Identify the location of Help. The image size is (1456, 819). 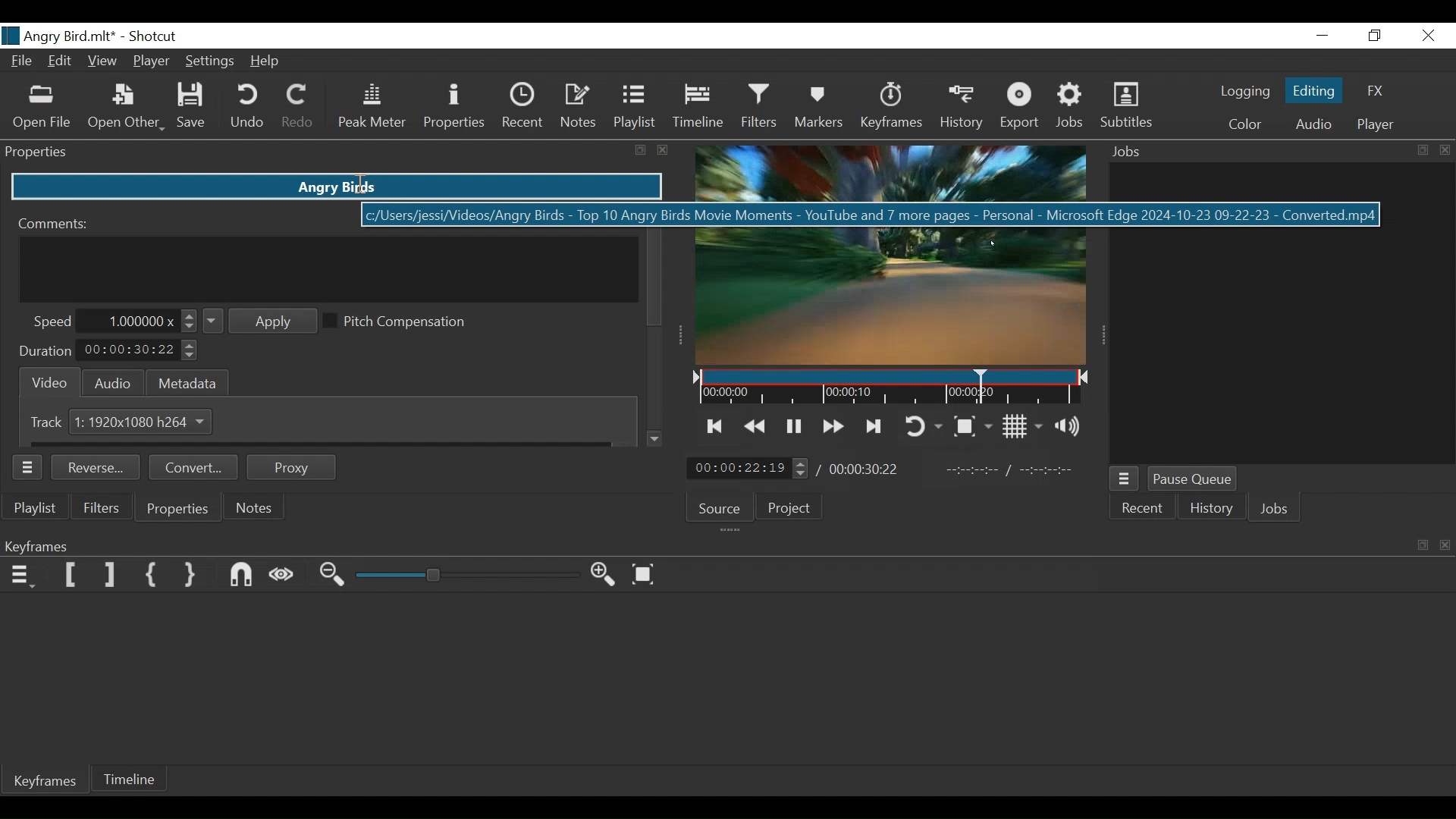
(267, 62).